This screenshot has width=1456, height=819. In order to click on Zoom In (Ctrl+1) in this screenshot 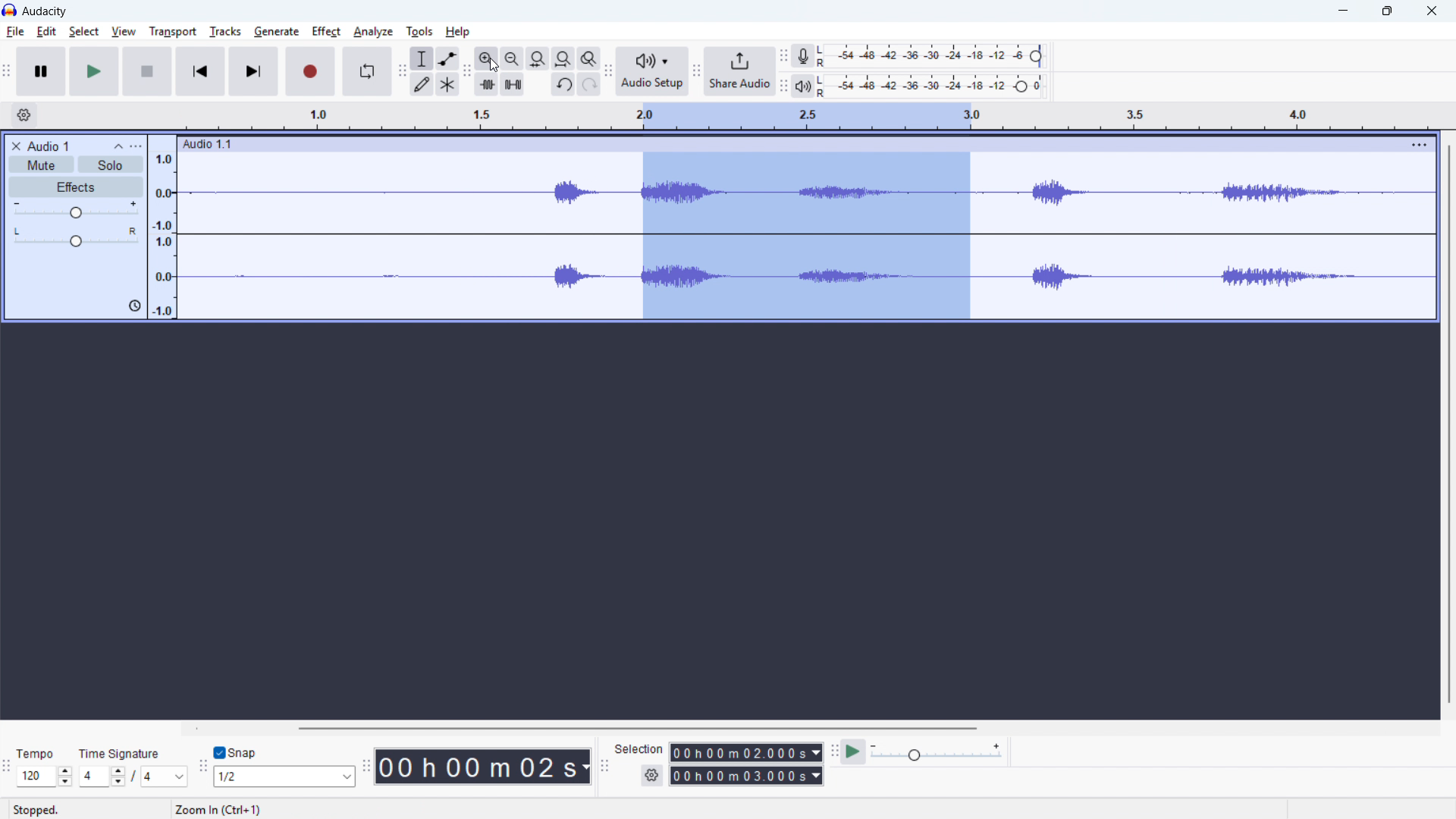, I will do `click(299, 810)`.